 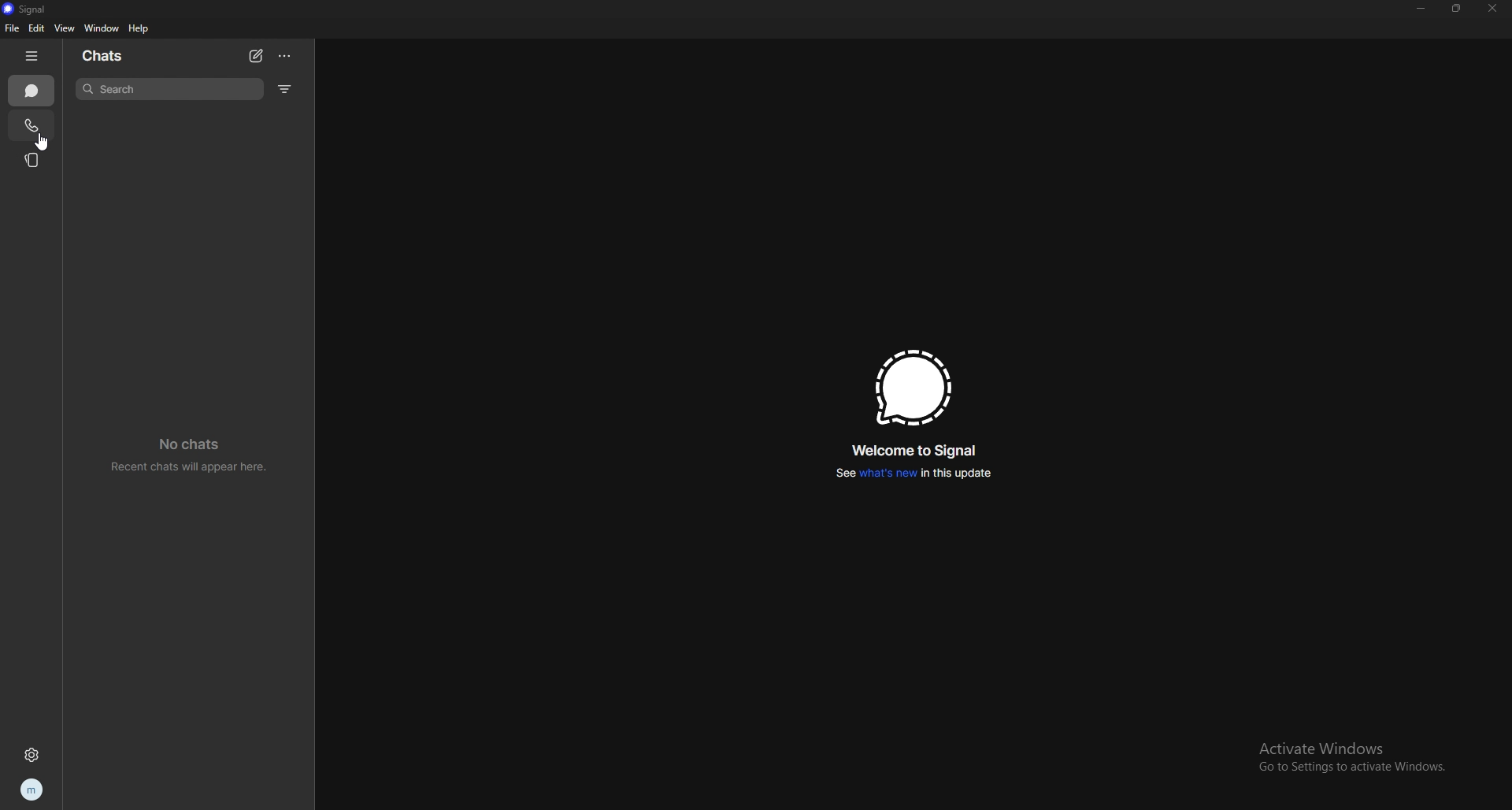 What do you see at coordinates (37, 28) in the screenshot?
I see `edit` at bounding box center [37, 28].